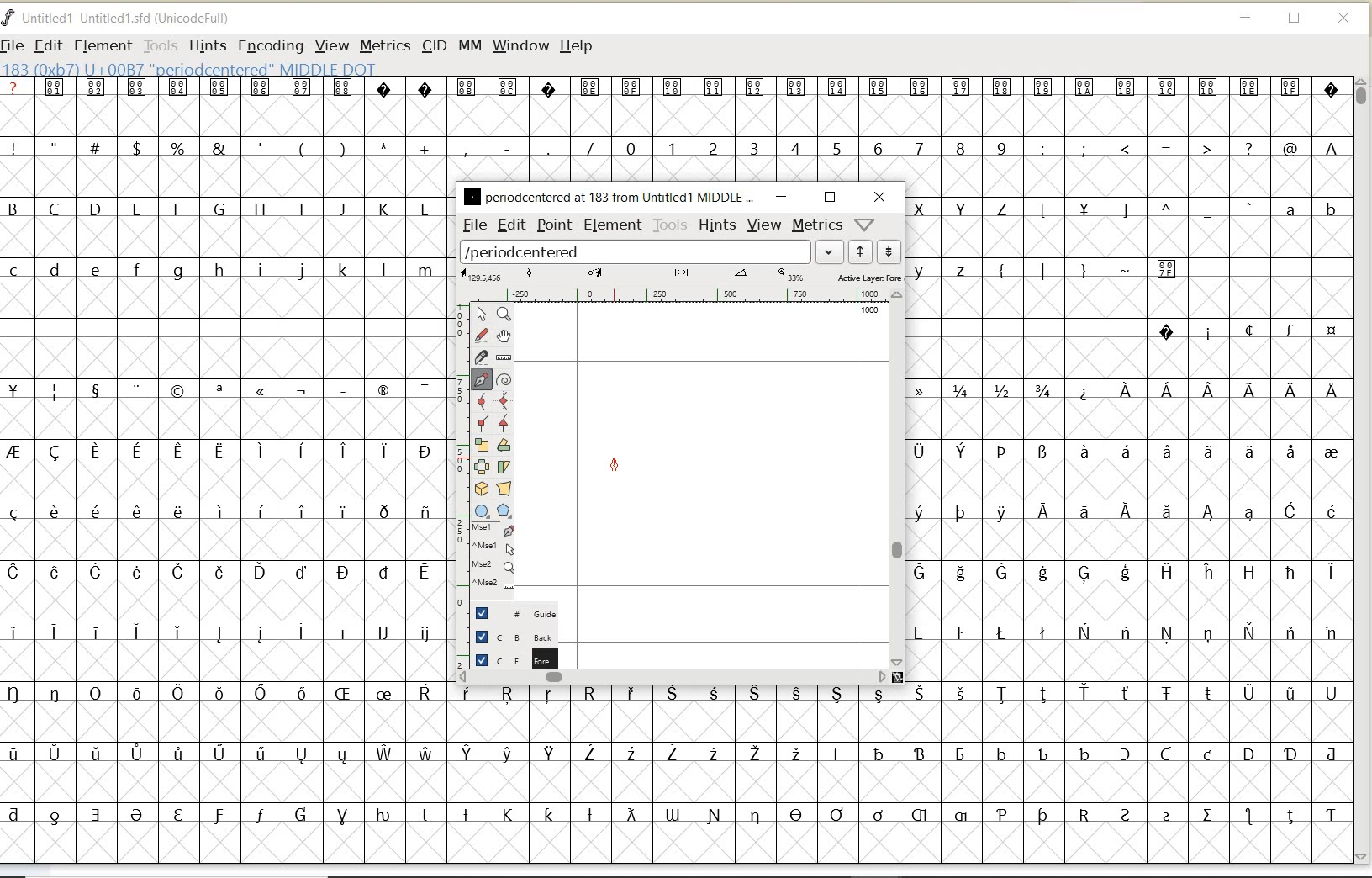 This screenshot has width=1372, height=878. Describe the element at coordinates (830, 251) in the screenshot. I see `expand` at that location.